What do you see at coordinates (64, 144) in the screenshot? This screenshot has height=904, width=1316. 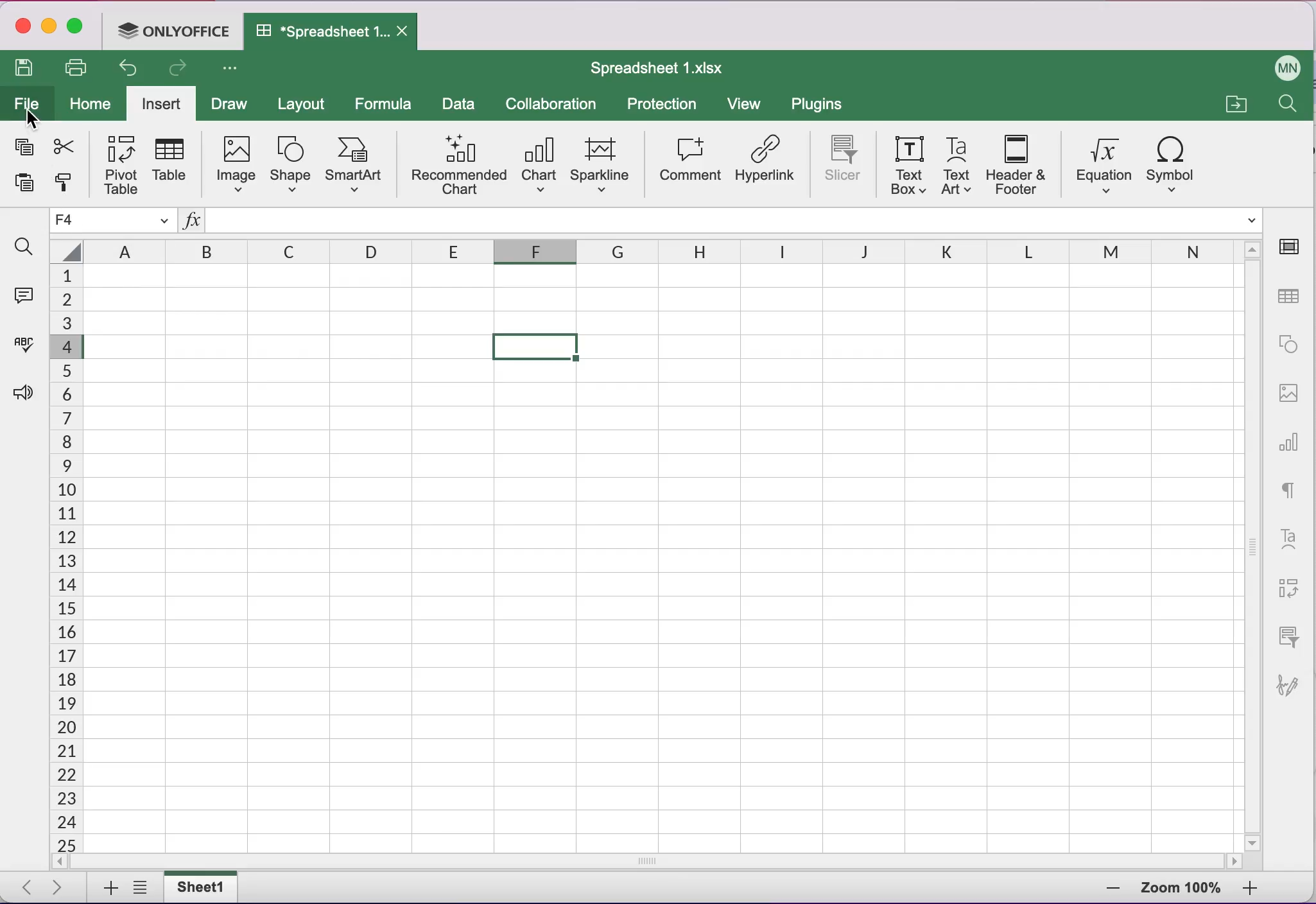 I see `cut` at bounding box center [64, 144].